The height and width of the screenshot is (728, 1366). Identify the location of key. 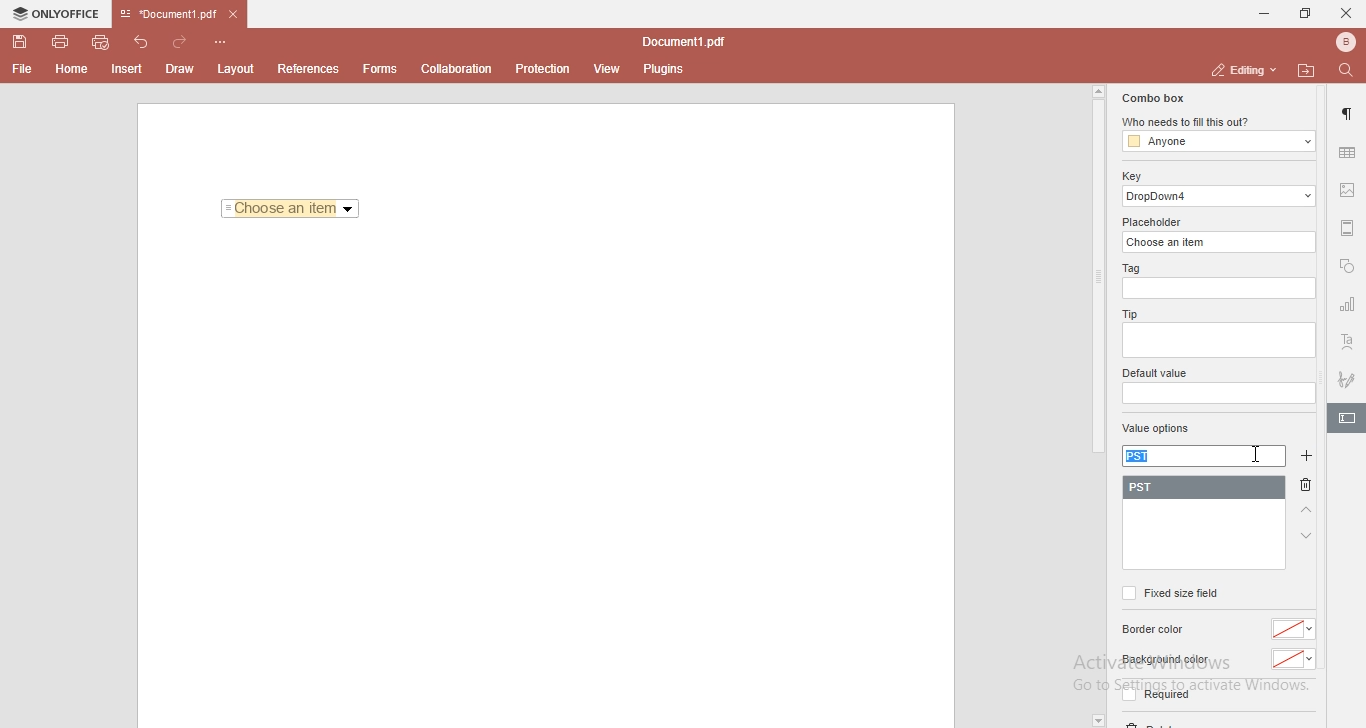
(1131, 176).